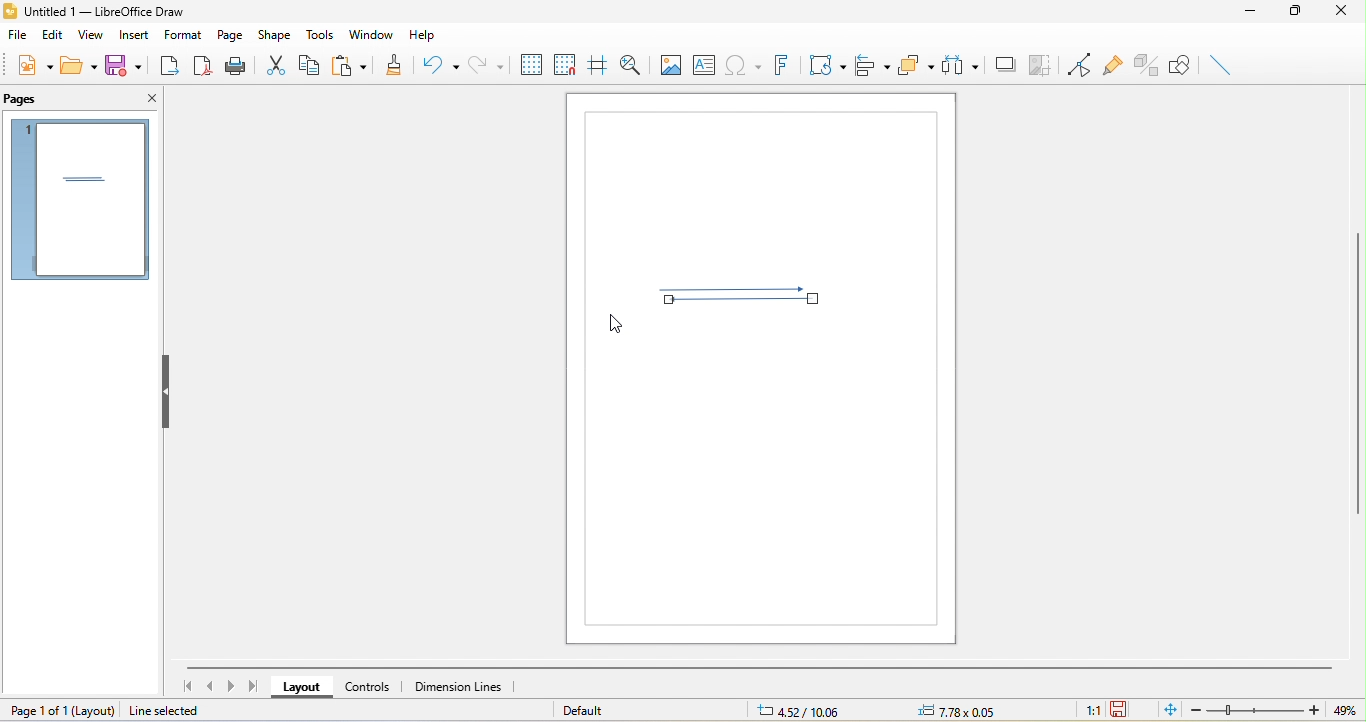 This screenshot has height=722, width=1366. Describe the element at coordinates (371, 686) in the screenshot. I see `controls` at that location.